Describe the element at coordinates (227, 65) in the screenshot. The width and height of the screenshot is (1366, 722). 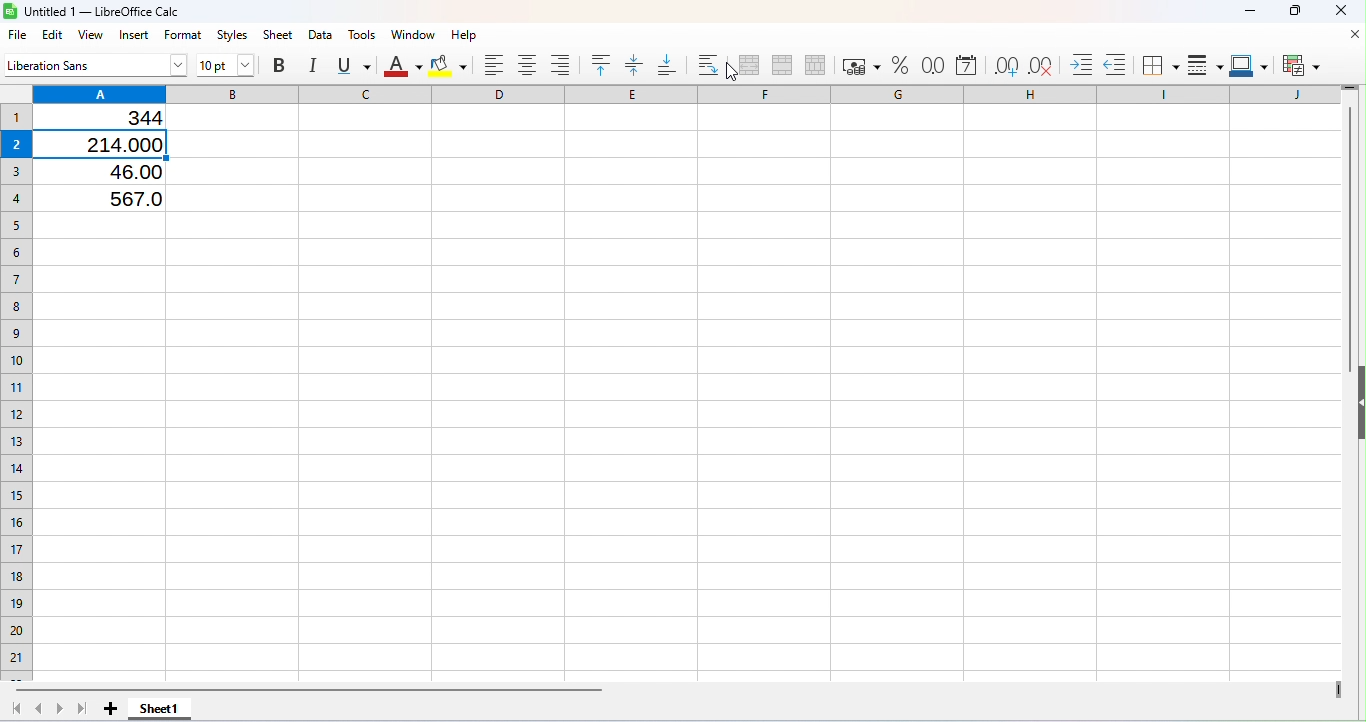
I see `10 pt` at that location.